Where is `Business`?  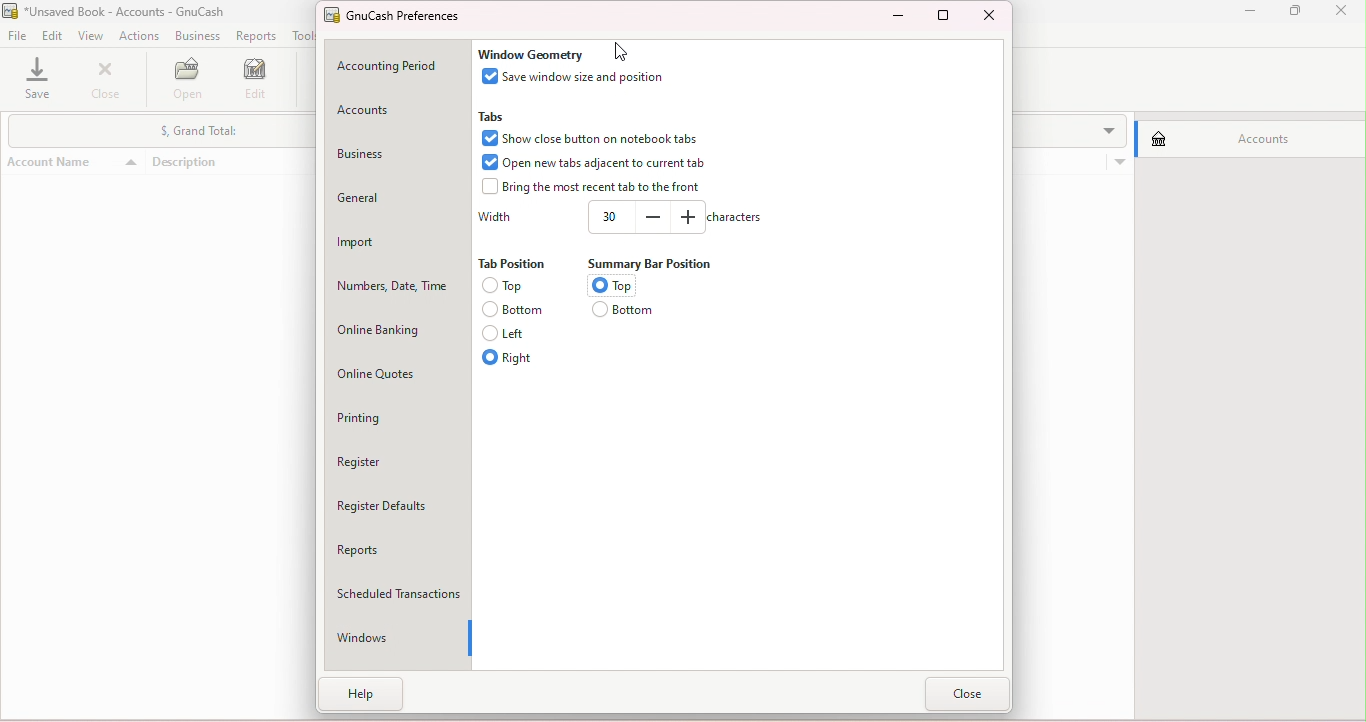 Business is located at coordinates (194, 36).